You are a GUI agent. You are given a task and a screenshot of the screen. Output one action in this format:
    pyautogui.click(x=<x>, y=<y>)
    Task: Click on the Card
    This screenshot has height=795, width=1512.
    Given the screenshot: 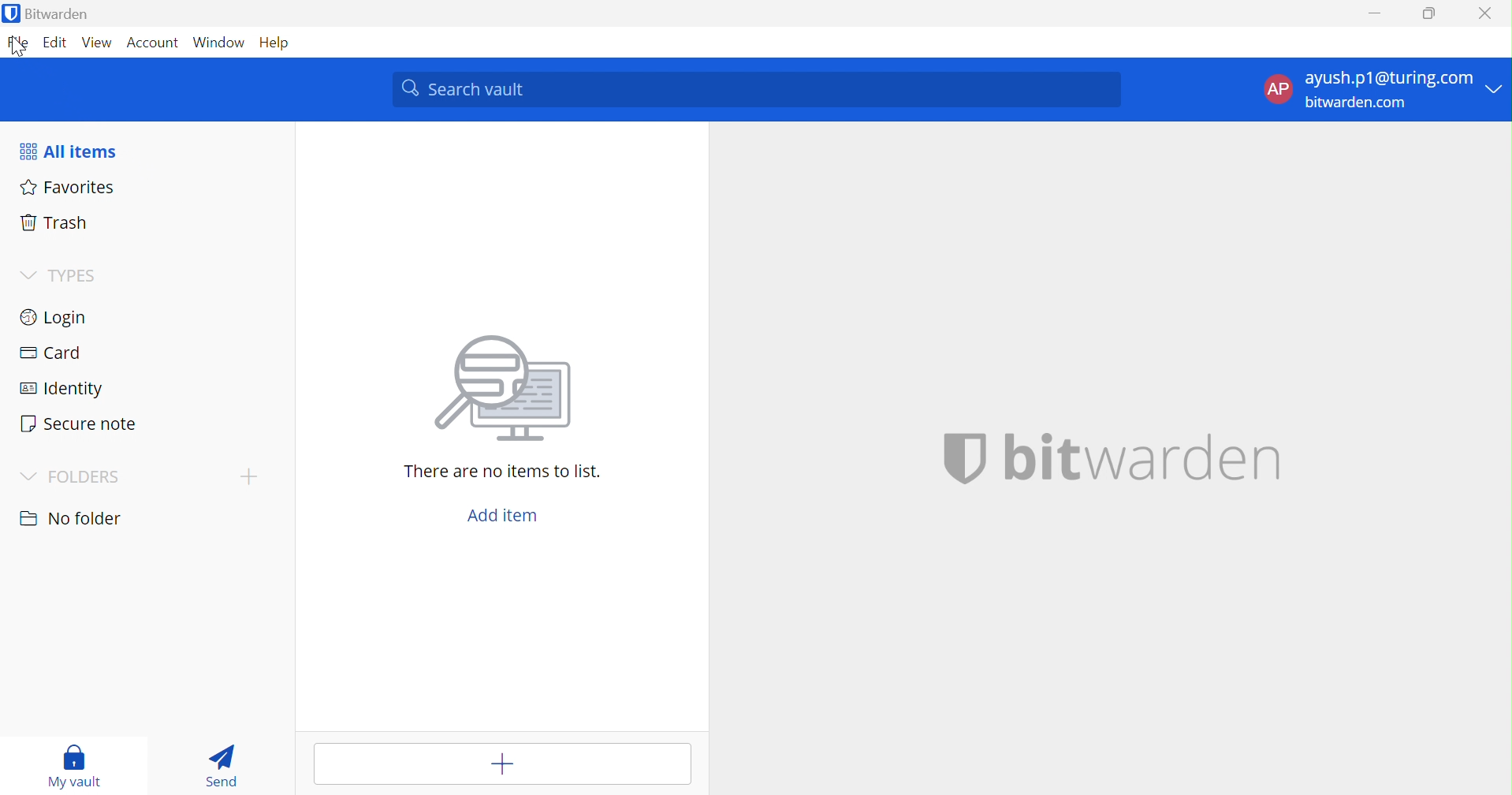 What is the action you would take?
    pyautogui.click(x=53, y=354)
    